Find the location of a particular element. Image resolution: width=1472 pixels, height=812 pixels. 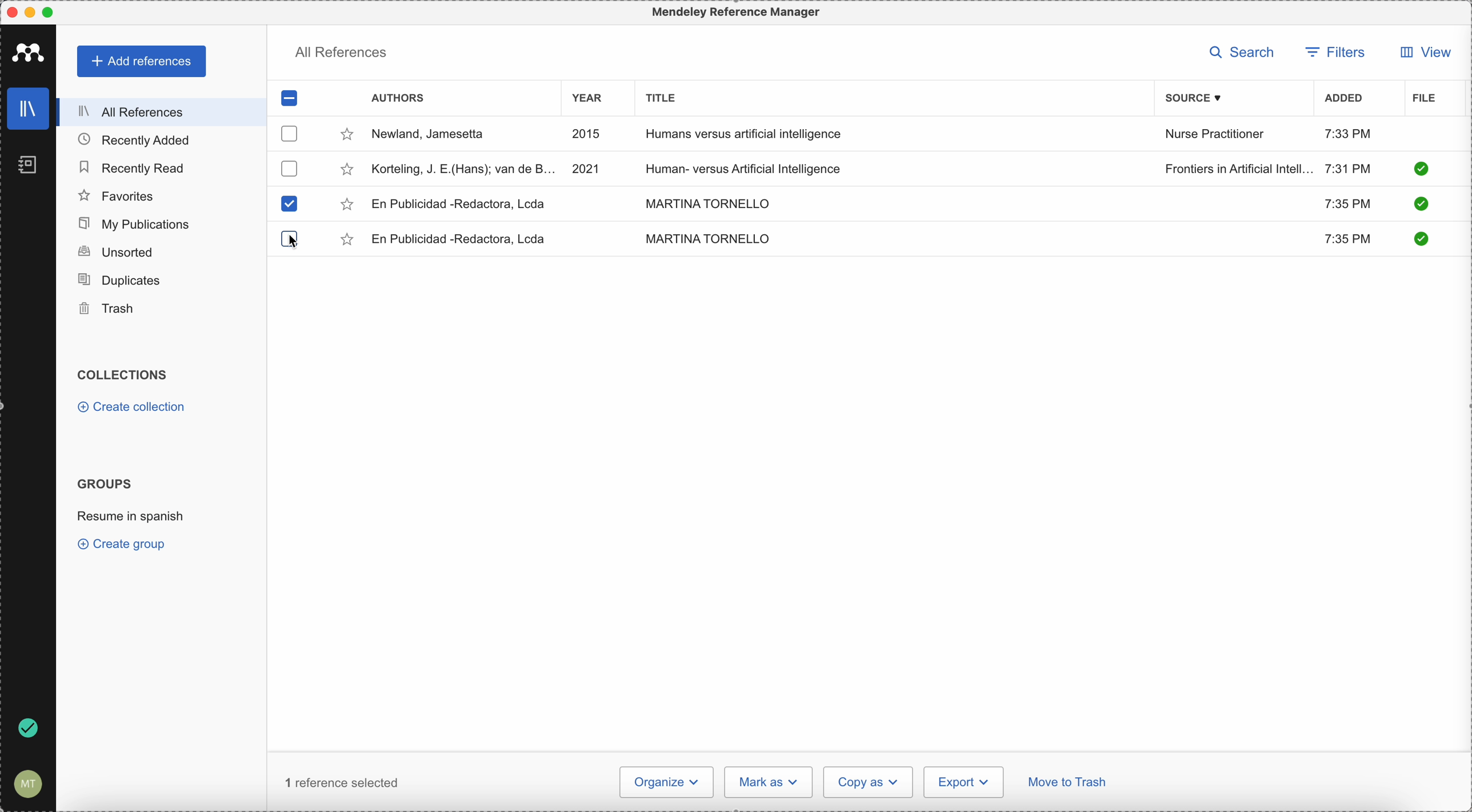

close program is located at coordinates (12, 13).